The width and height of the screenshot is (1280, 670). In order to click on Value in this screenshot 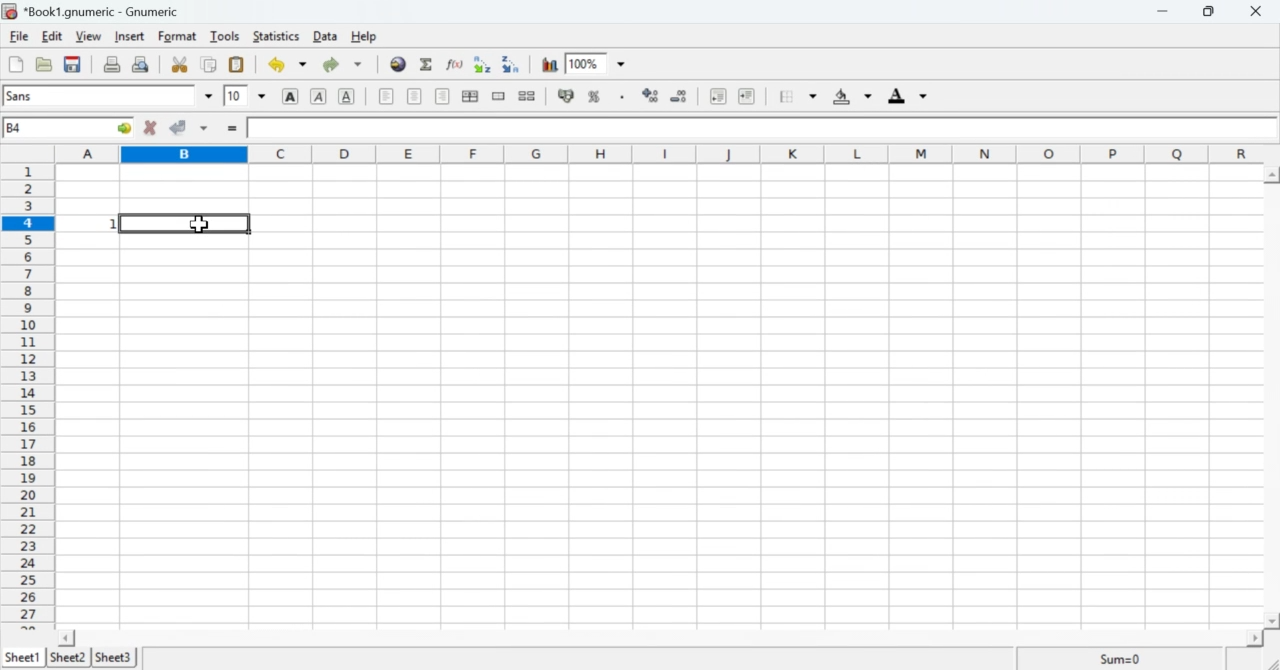, I will do `click(88, 223)`.